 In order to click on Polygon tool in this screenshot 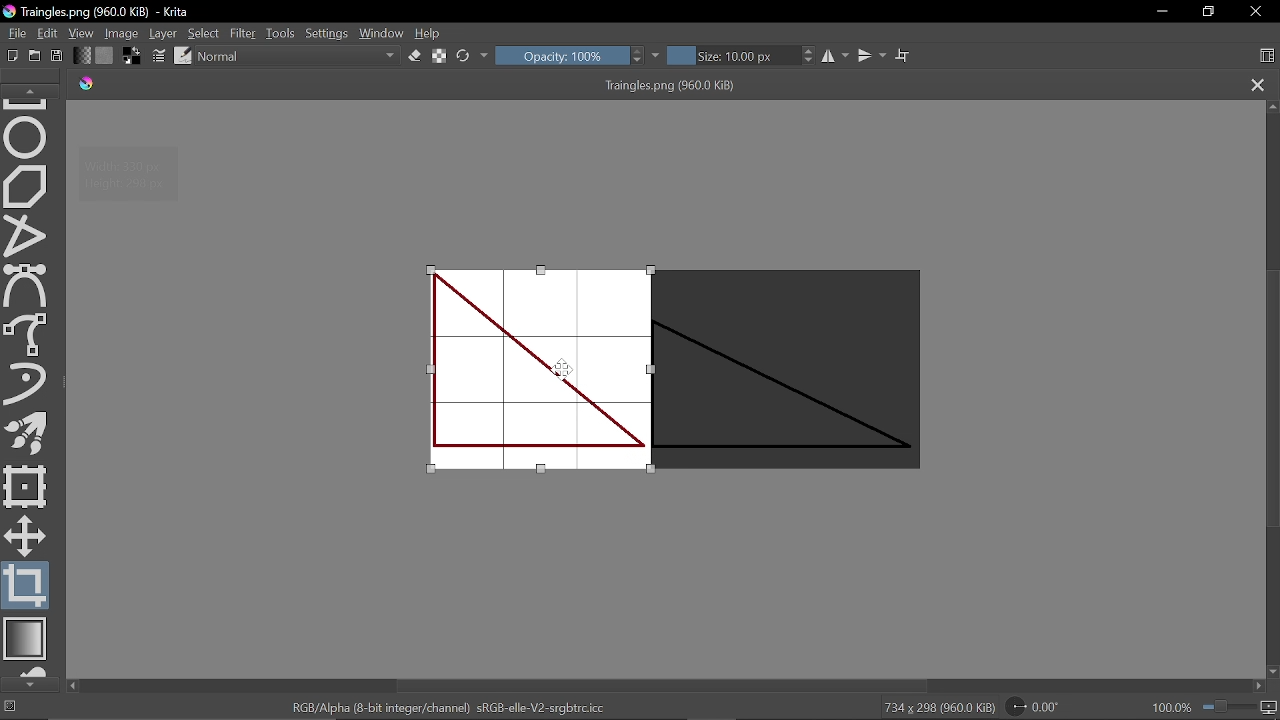, I will do `click(27, 187)`.